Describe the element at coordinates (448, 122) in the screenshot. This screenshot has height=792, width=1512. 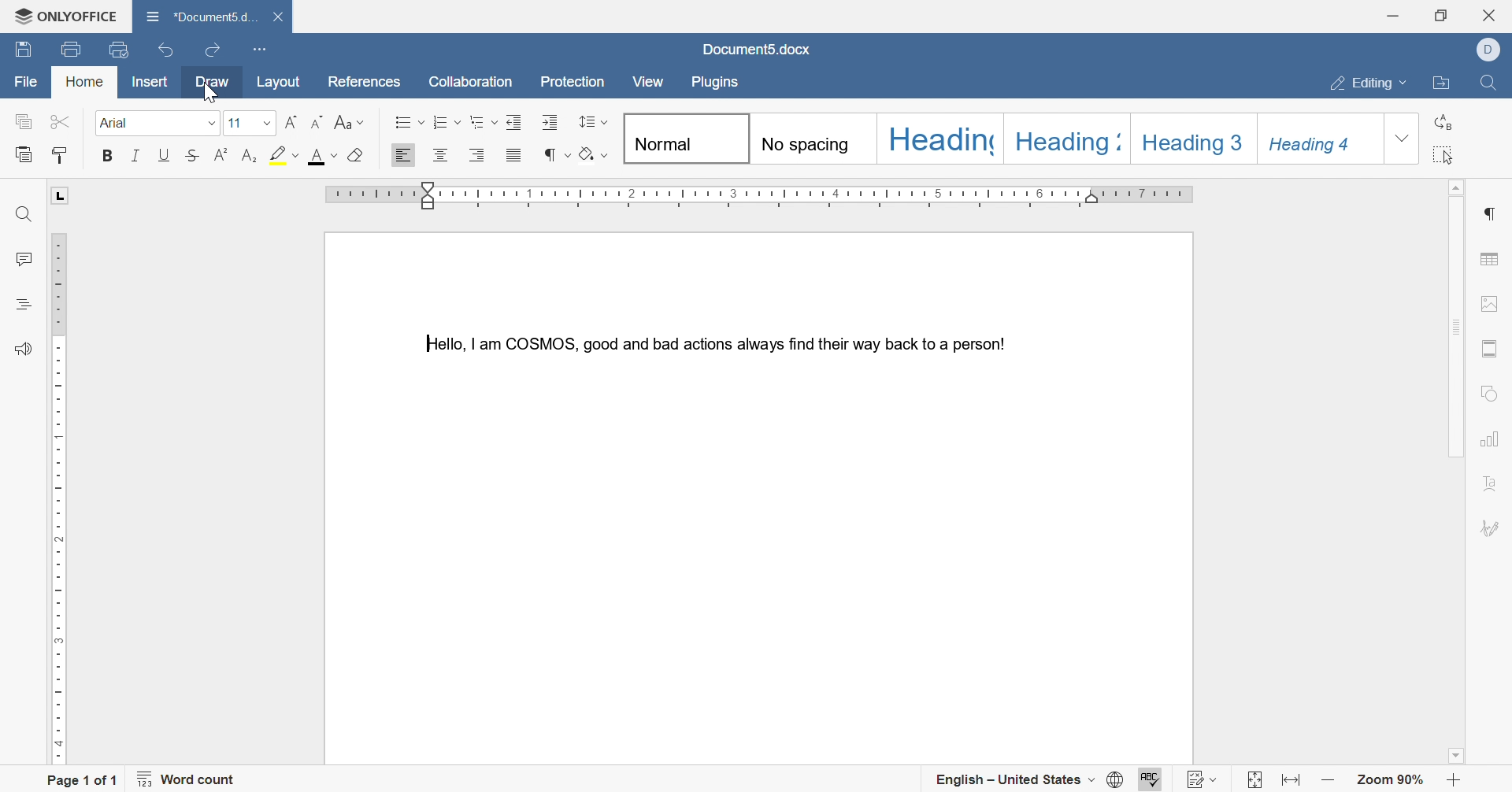
I see `numbering` at that location.